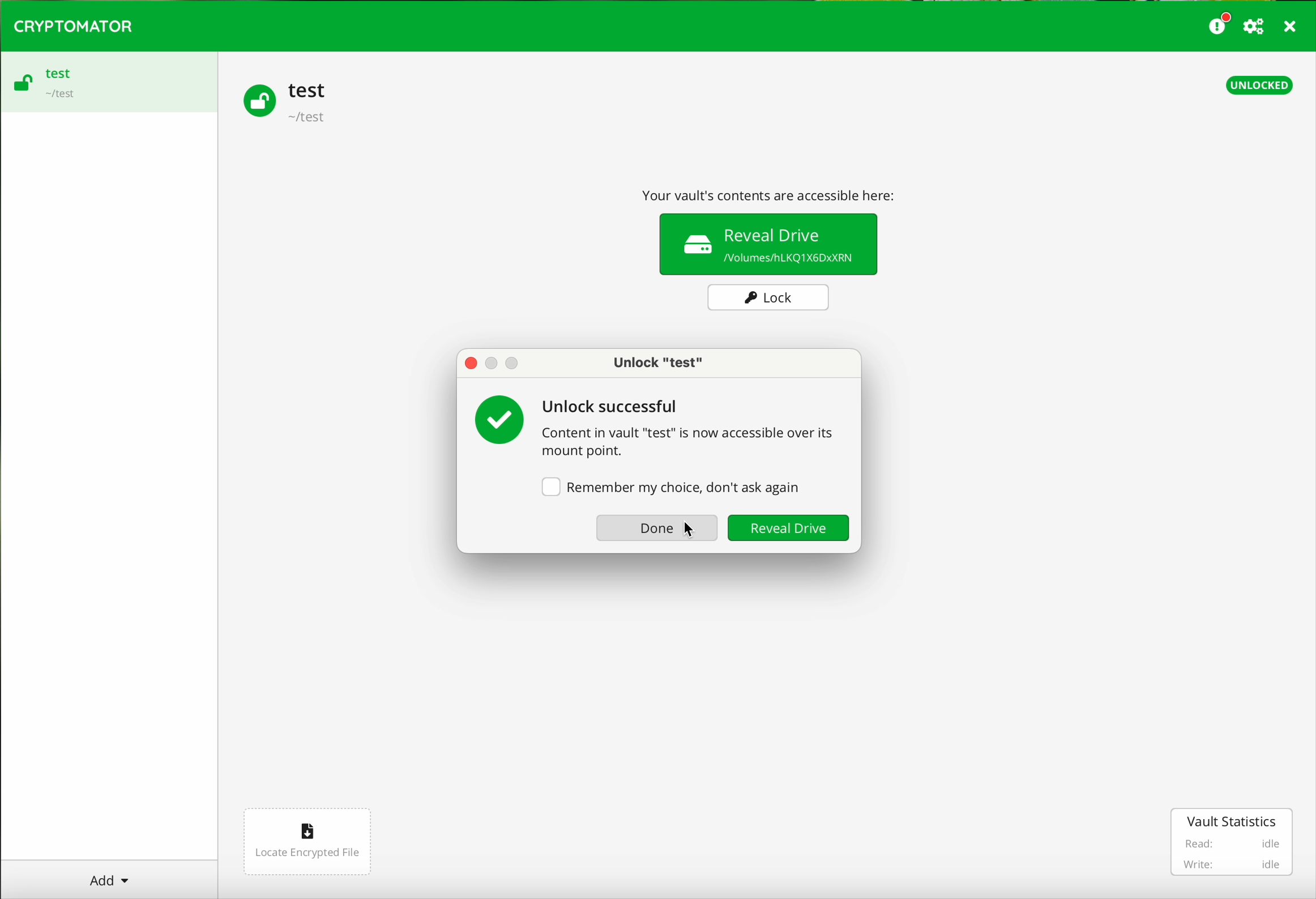  What do you see at coordinates (256, 99) in the screenshot?
I see `open padlock` at bounding box center [256, 99].